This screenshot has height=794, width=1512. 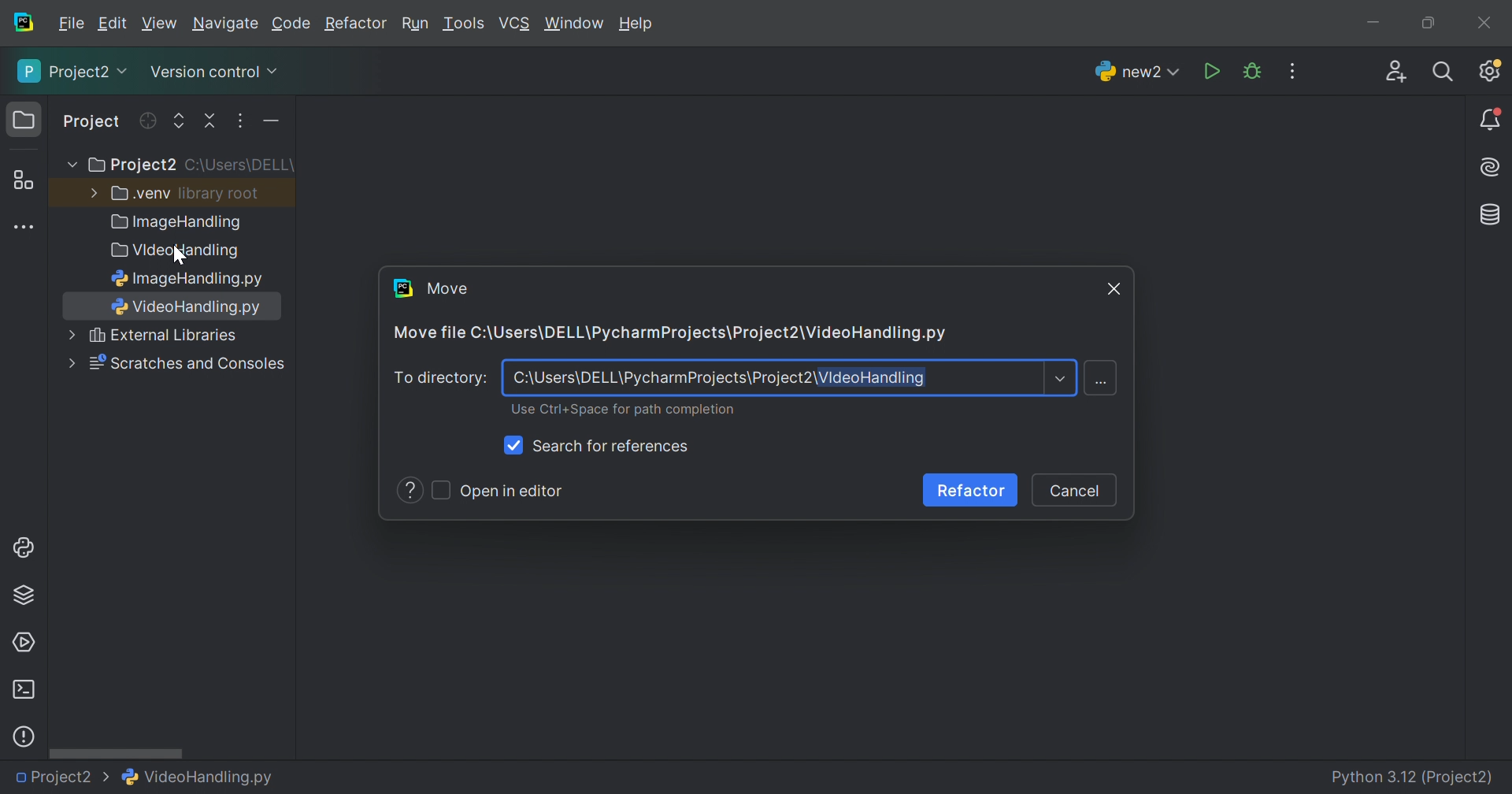 I want to click on Close, so click(x=1484, y=23).